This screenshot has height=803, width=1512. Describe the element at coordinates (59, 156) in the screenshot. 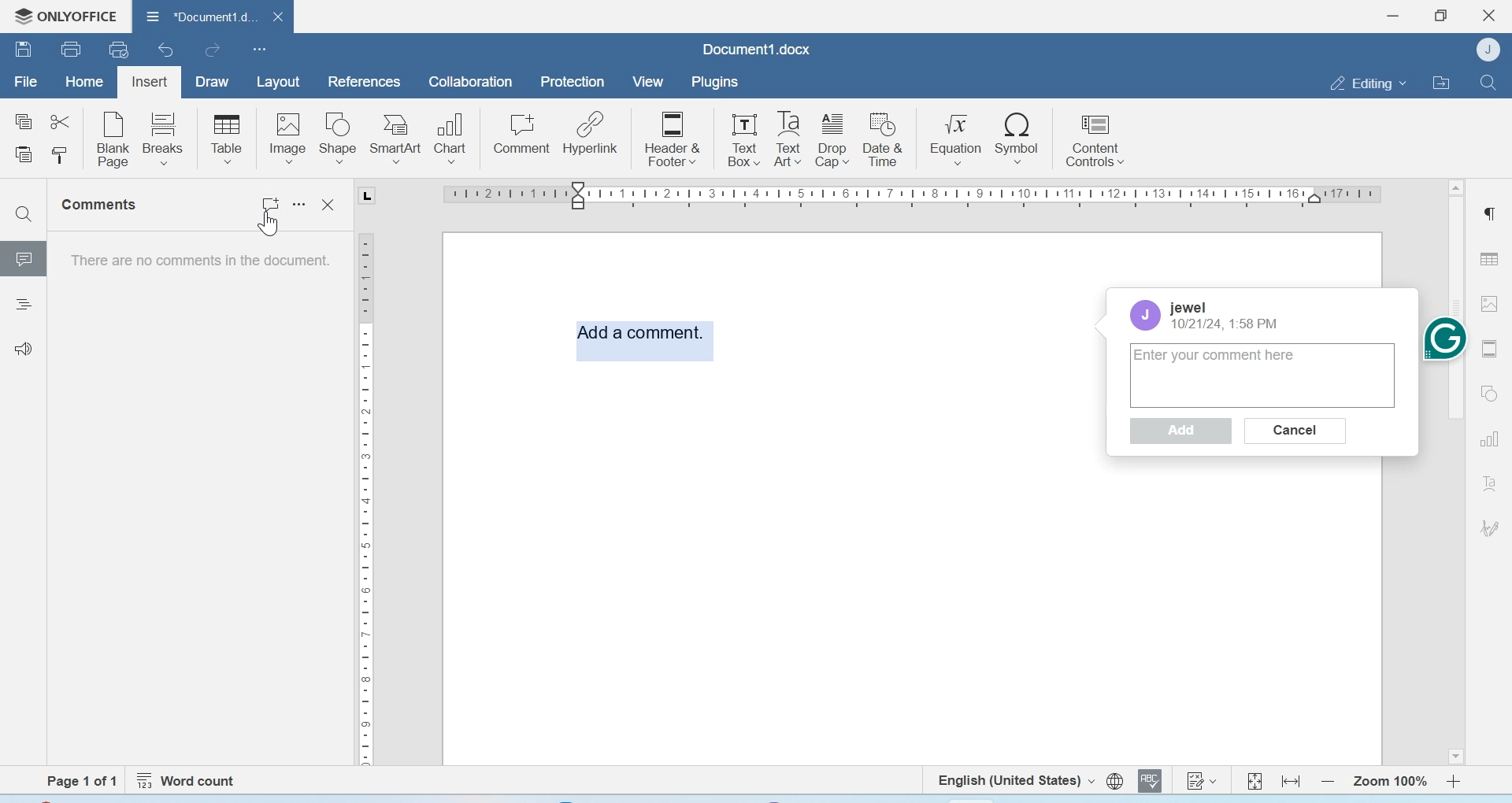

I see `Copy style` at that location.